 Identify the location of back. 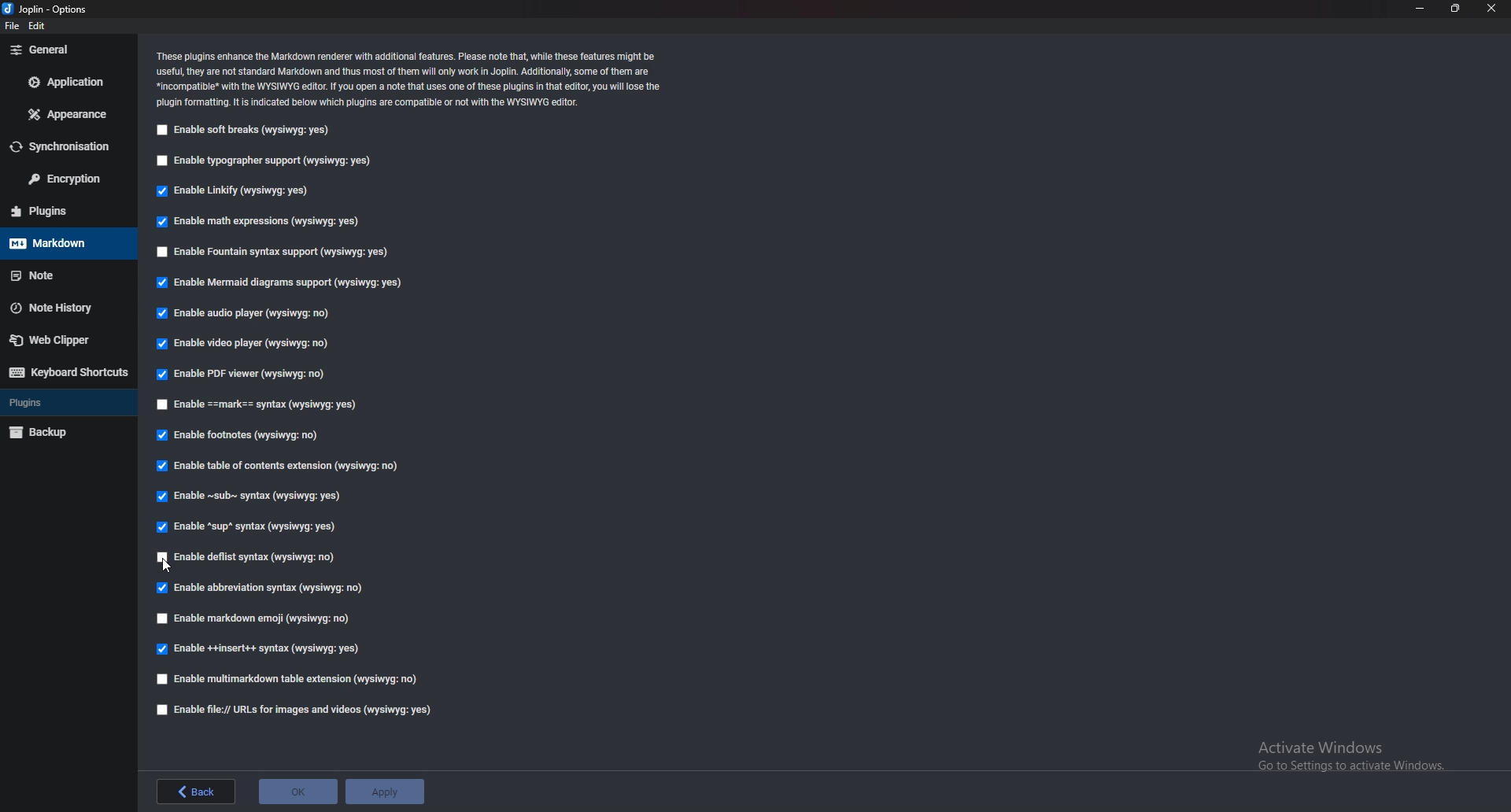
(198, 791).